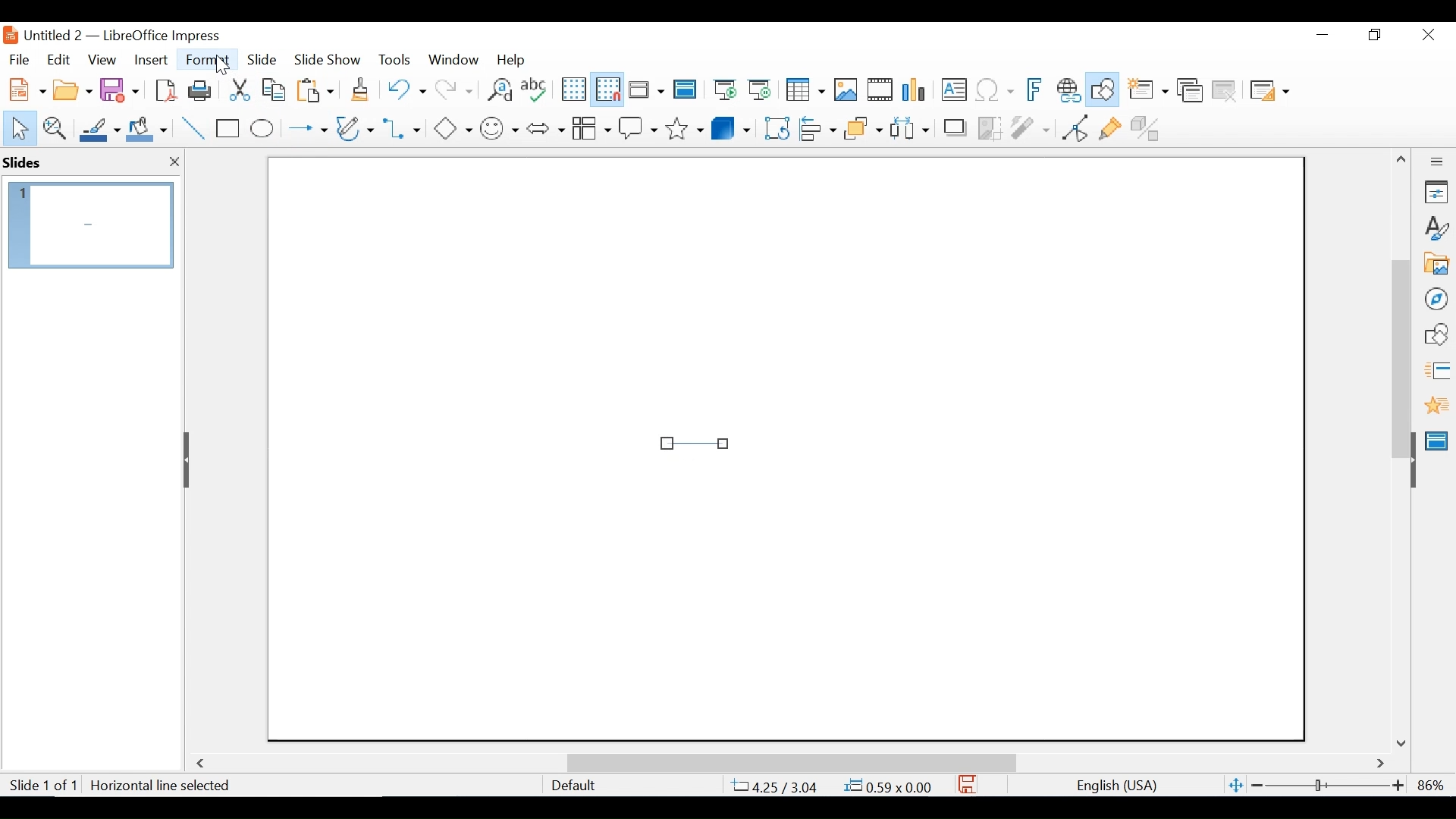 The width and height of the screenshot is (1456, 819). Describe the element at coordinates (203, 764) in the screenshot. I see `Scroll Left` at that location.